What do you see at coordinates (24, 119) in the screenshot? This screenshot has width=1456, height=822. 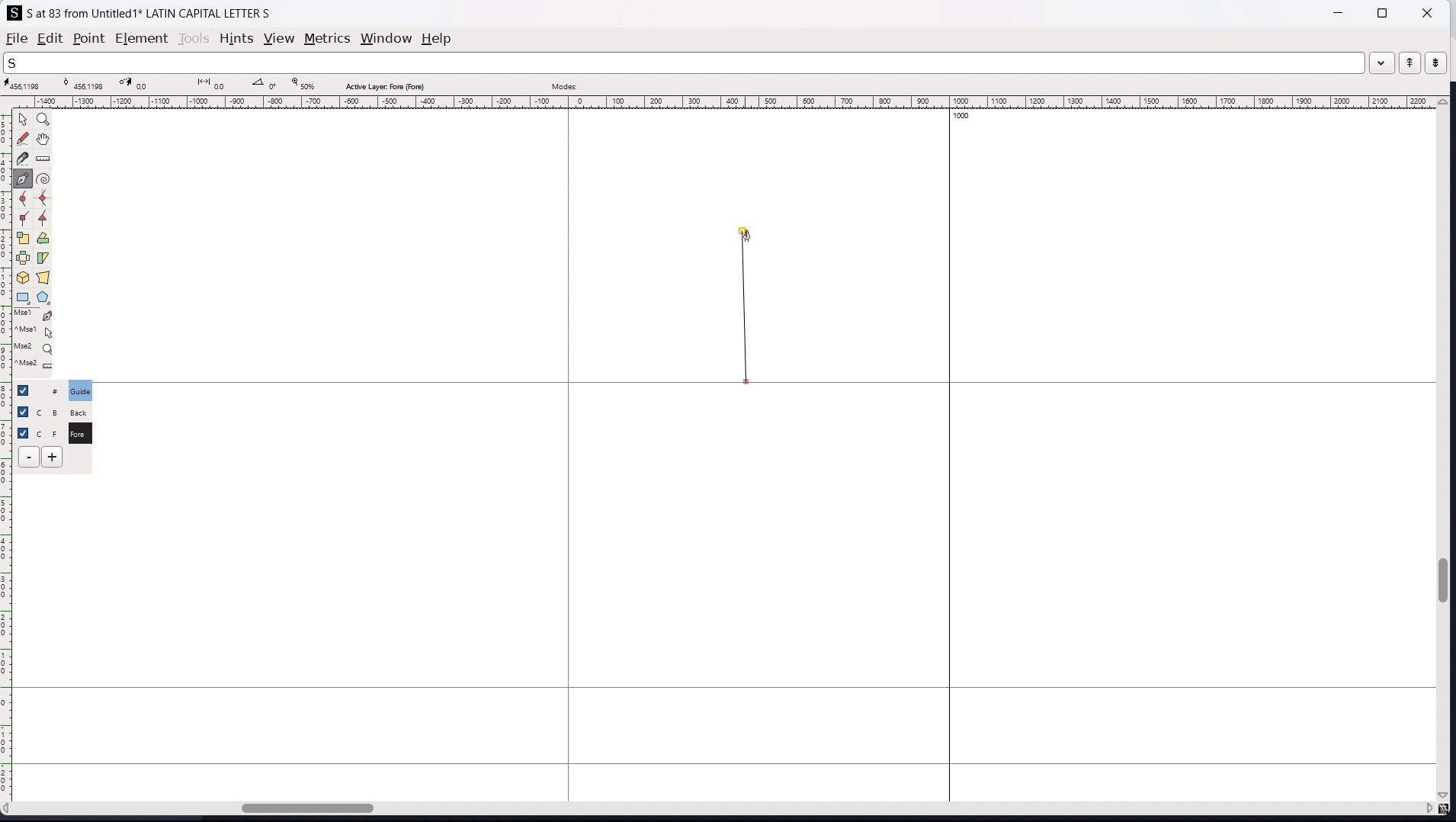 I see `pointer` at bounding box center [24, 119].